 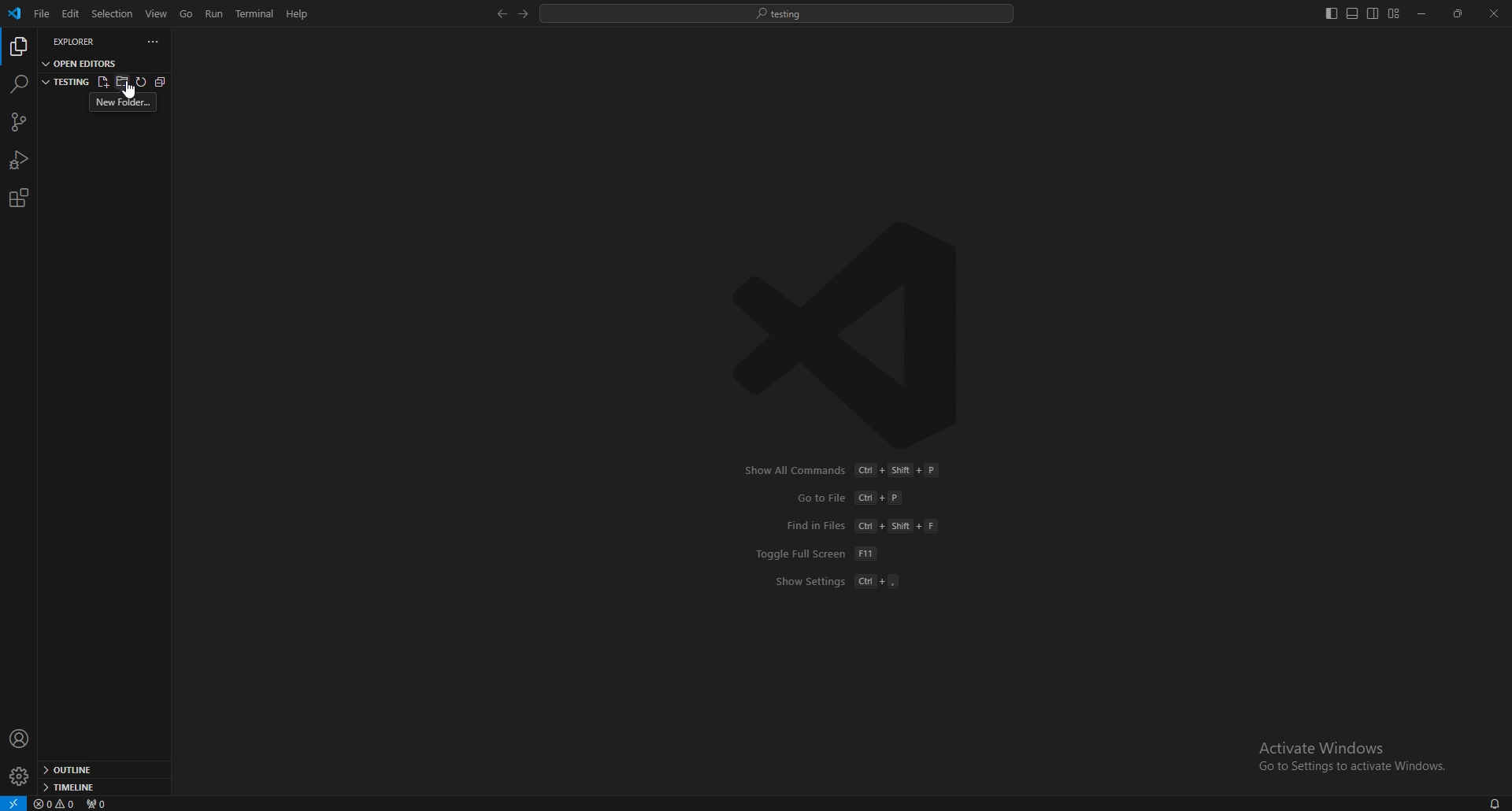 What do you see at coordinates (121, 80) in the screenshot?
I see `new folder` at bounding box center [121, 80].